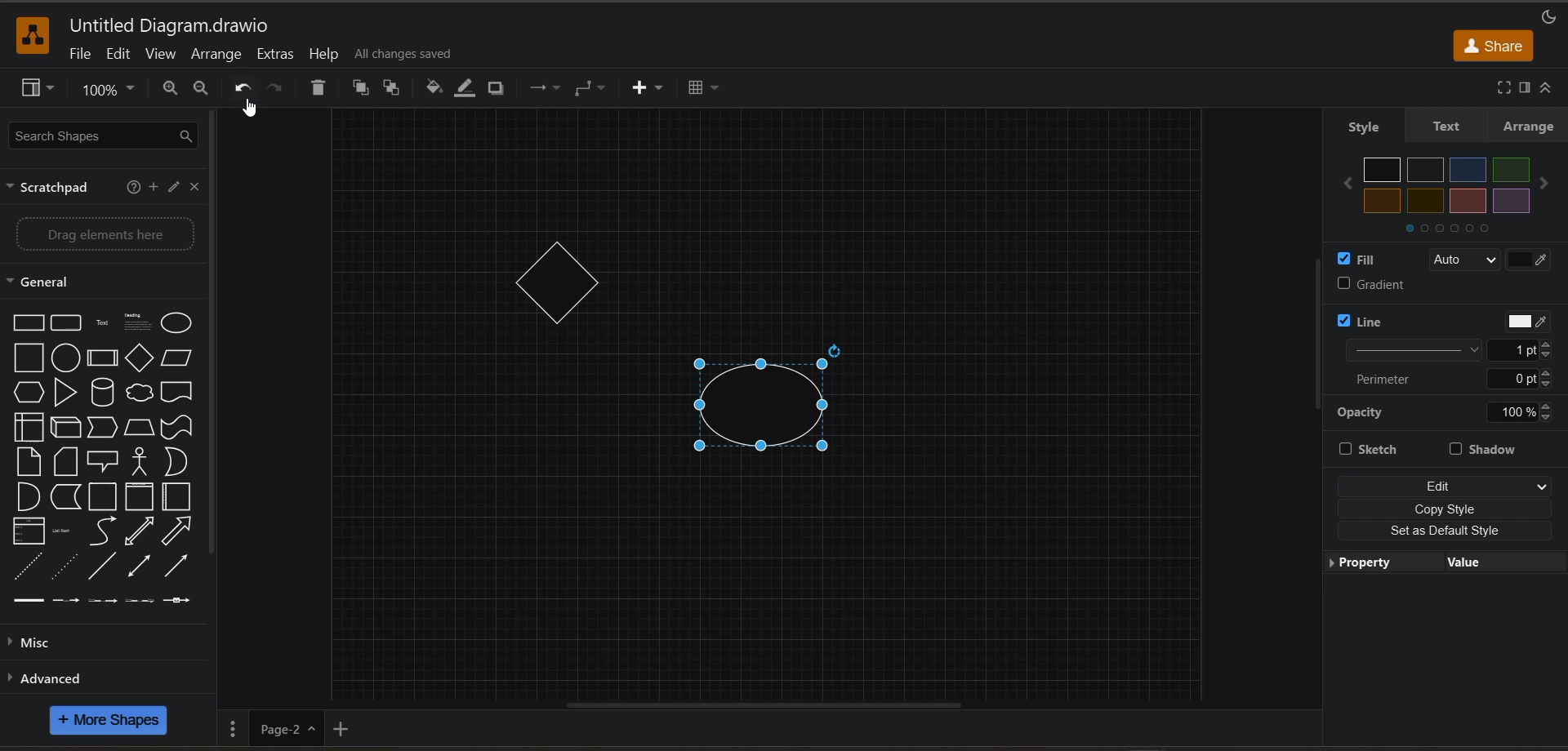 Image resolution: width=1568 pixels, height=751 pixels. Describe the element at coordinates (65, 393) in the screenshot. I see `Triangle` at that location.